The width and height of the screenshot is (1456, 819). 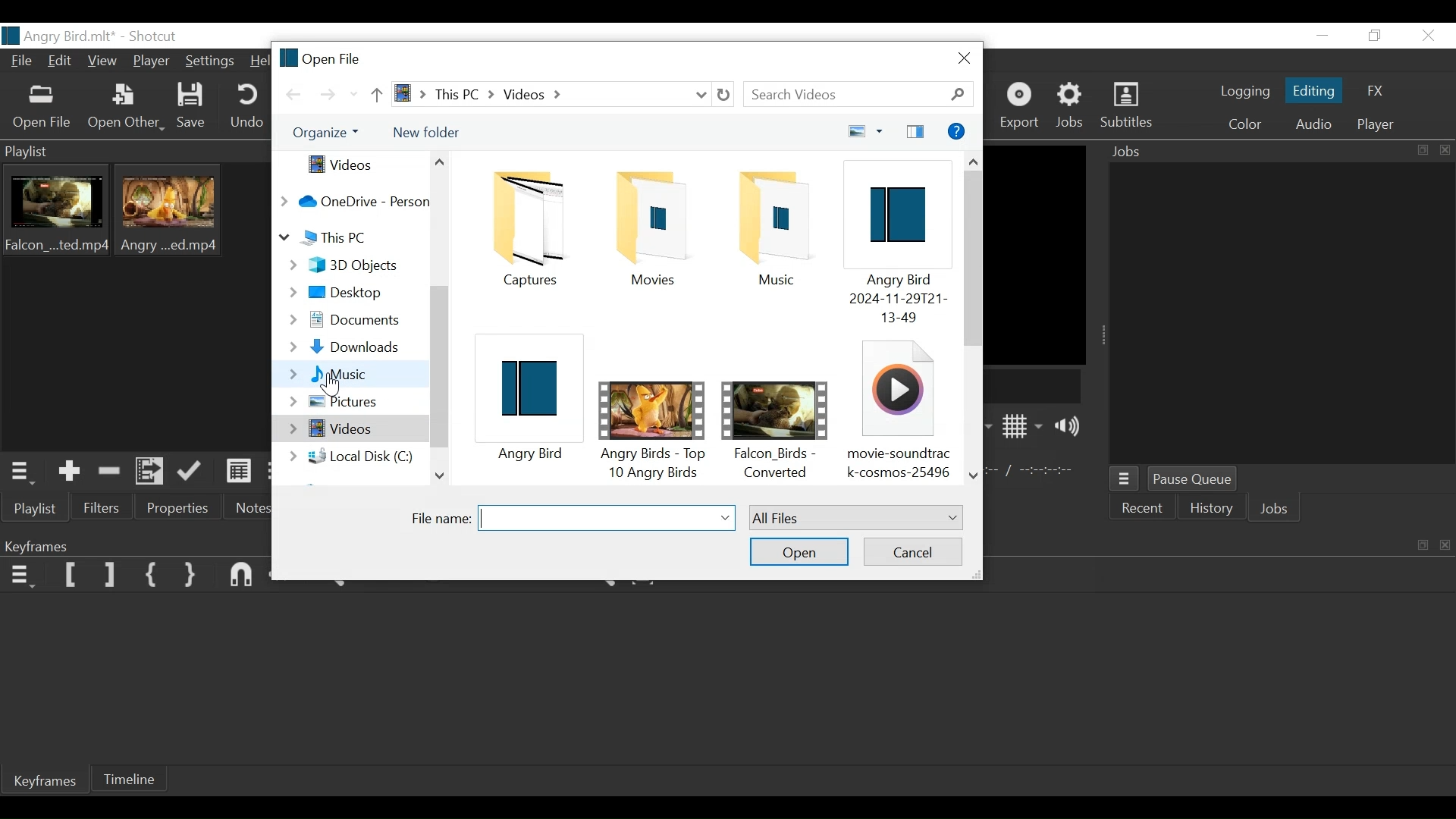 What do you see at coordinates (152, 472) in the screenshot?
I see `Add files to the playlist` at bounding box center [152, 472].